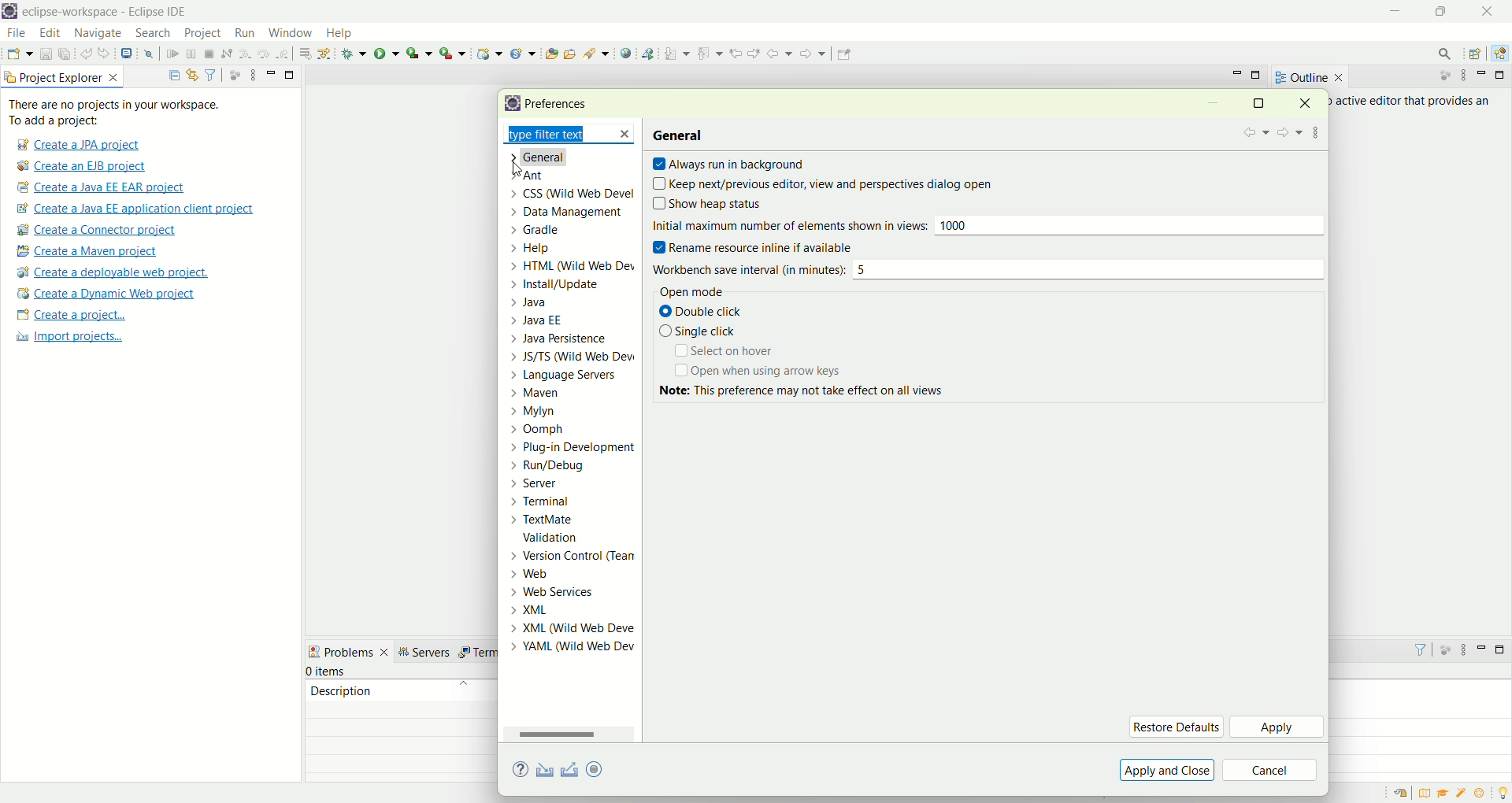  Describe the element at coordinates (571, 340) in the screenshot. I see `java persistence` at that location.